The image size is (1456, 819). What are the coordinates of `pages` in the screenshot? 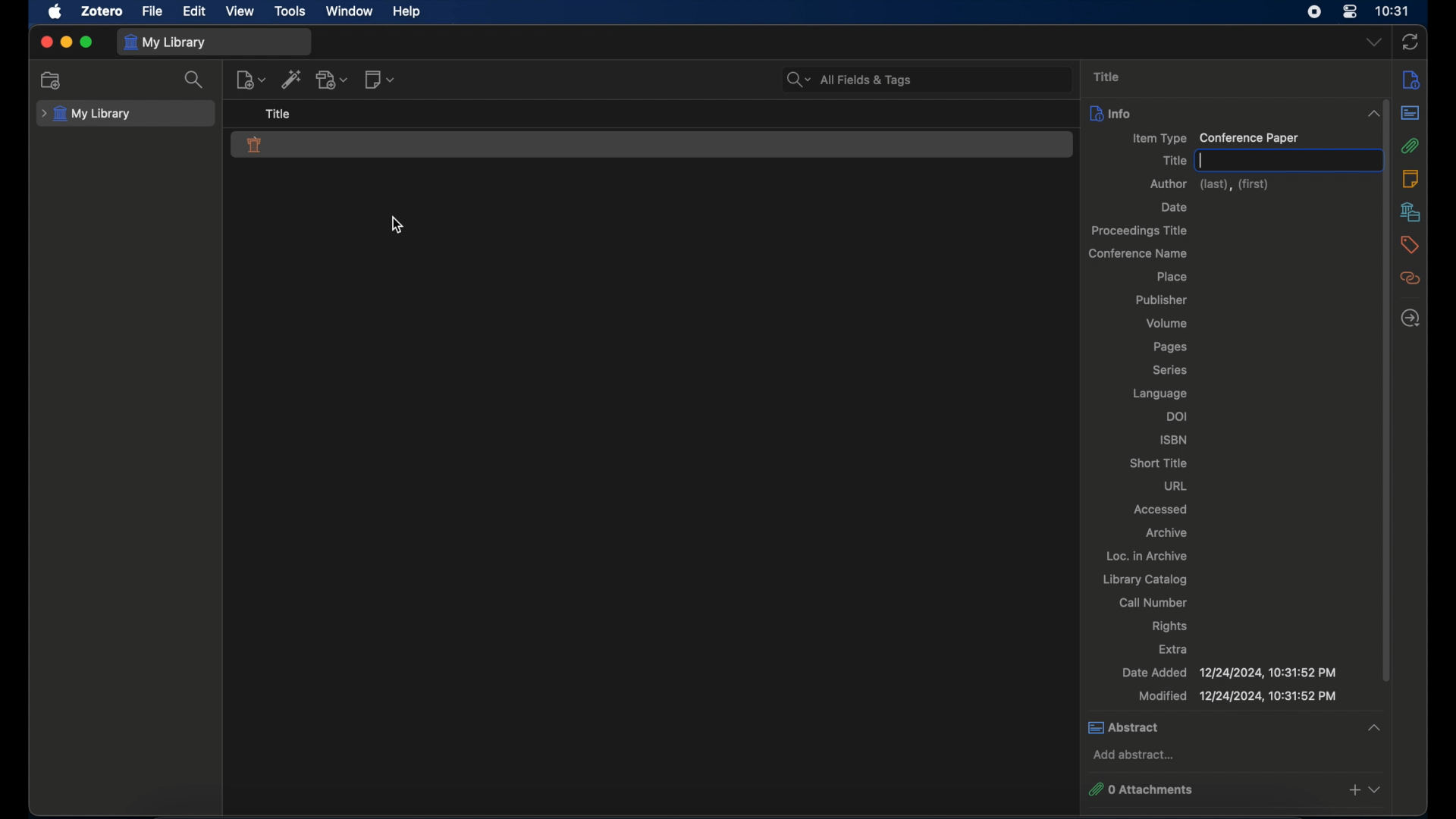 It's located at (1170, 347).